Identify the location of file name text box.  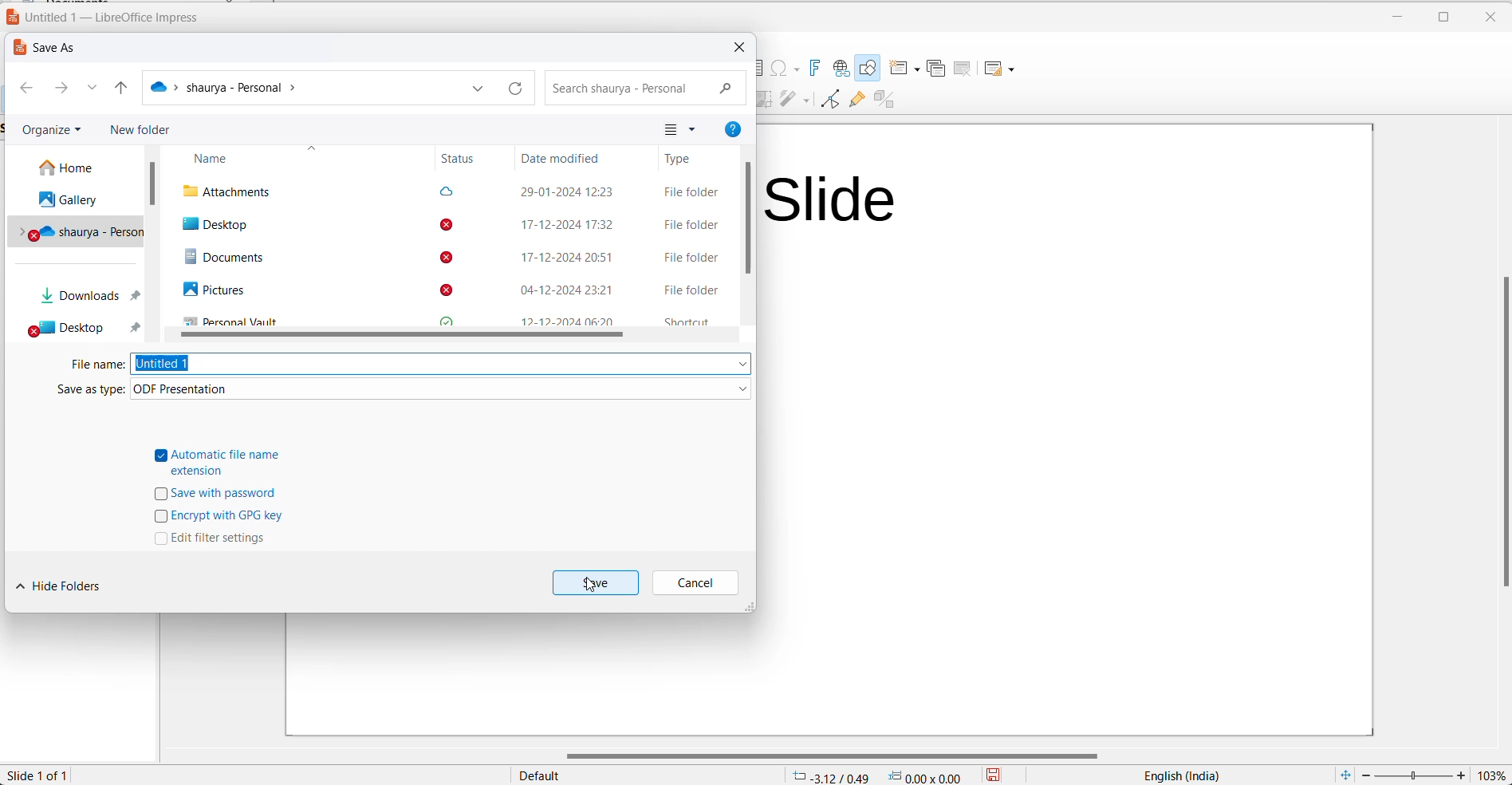
(442, 364).